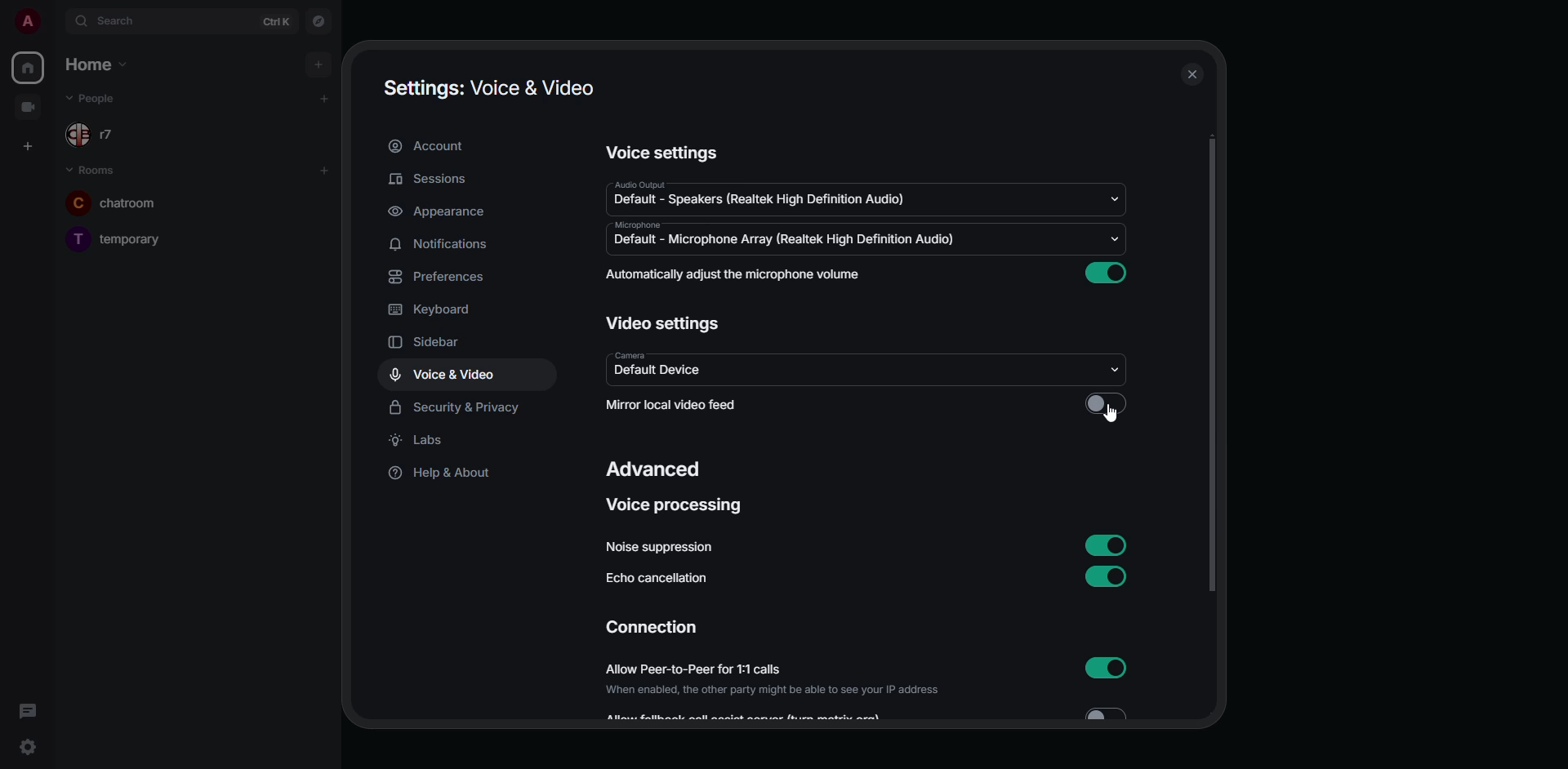 The width and height of the screenshot is (1568, 769). I want to click on preferences, so click(441, 277).